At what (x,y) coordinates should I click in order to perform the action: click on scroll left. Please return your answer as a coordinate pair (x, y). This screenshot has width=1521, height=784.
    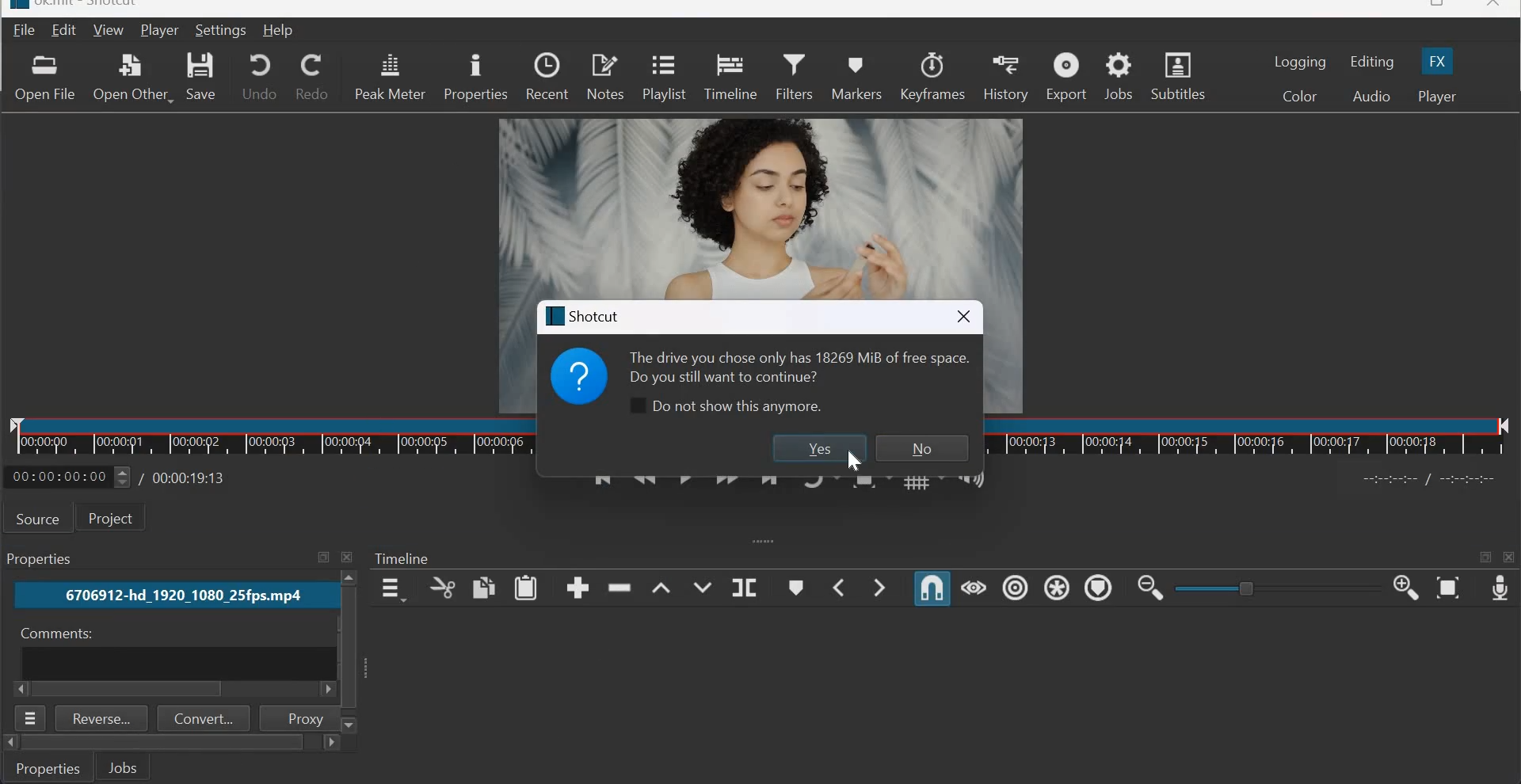
    Looking at the image, I should click on (10, 743).